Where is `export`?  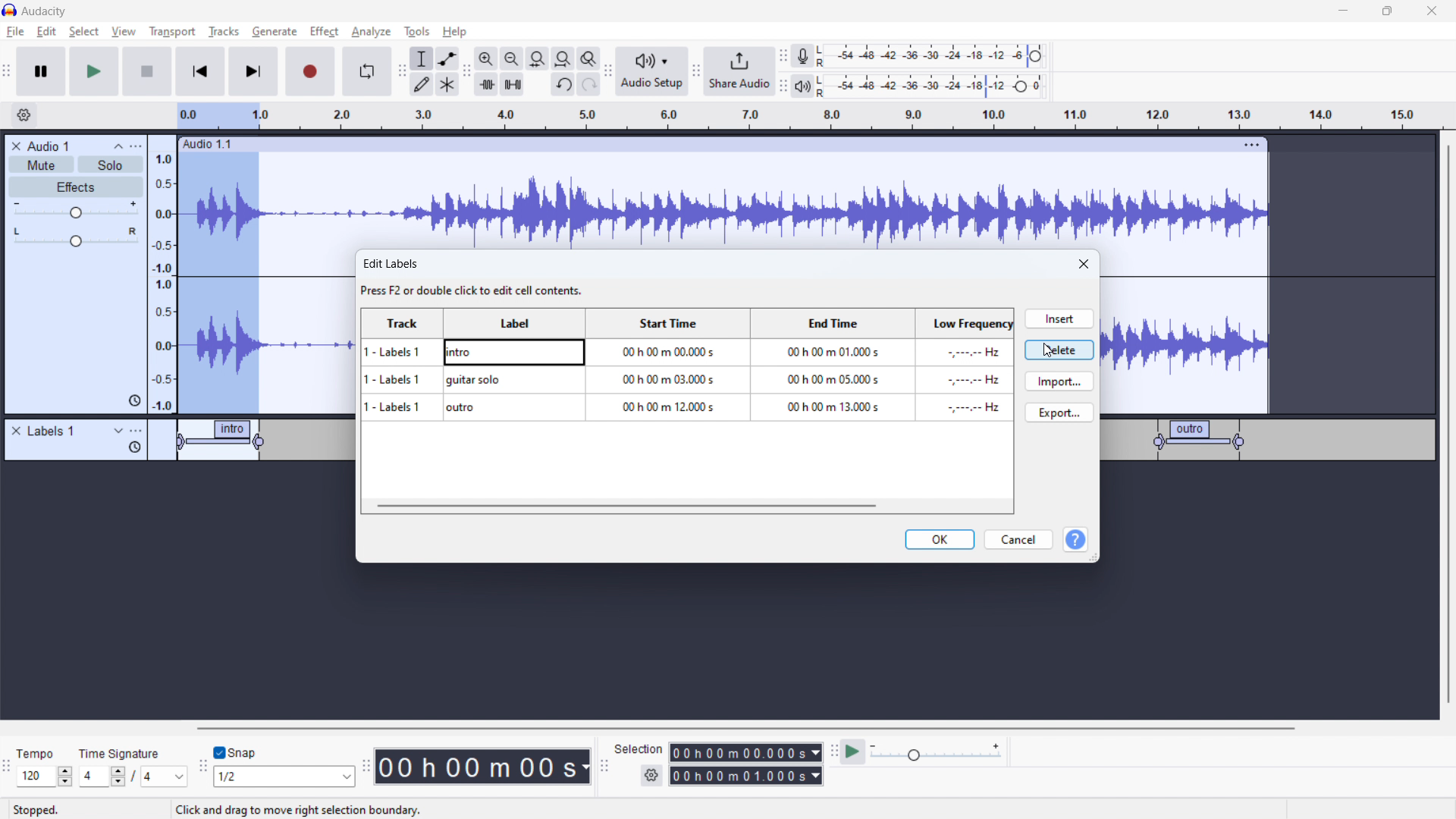 export is located at coordinates (1059, 412).